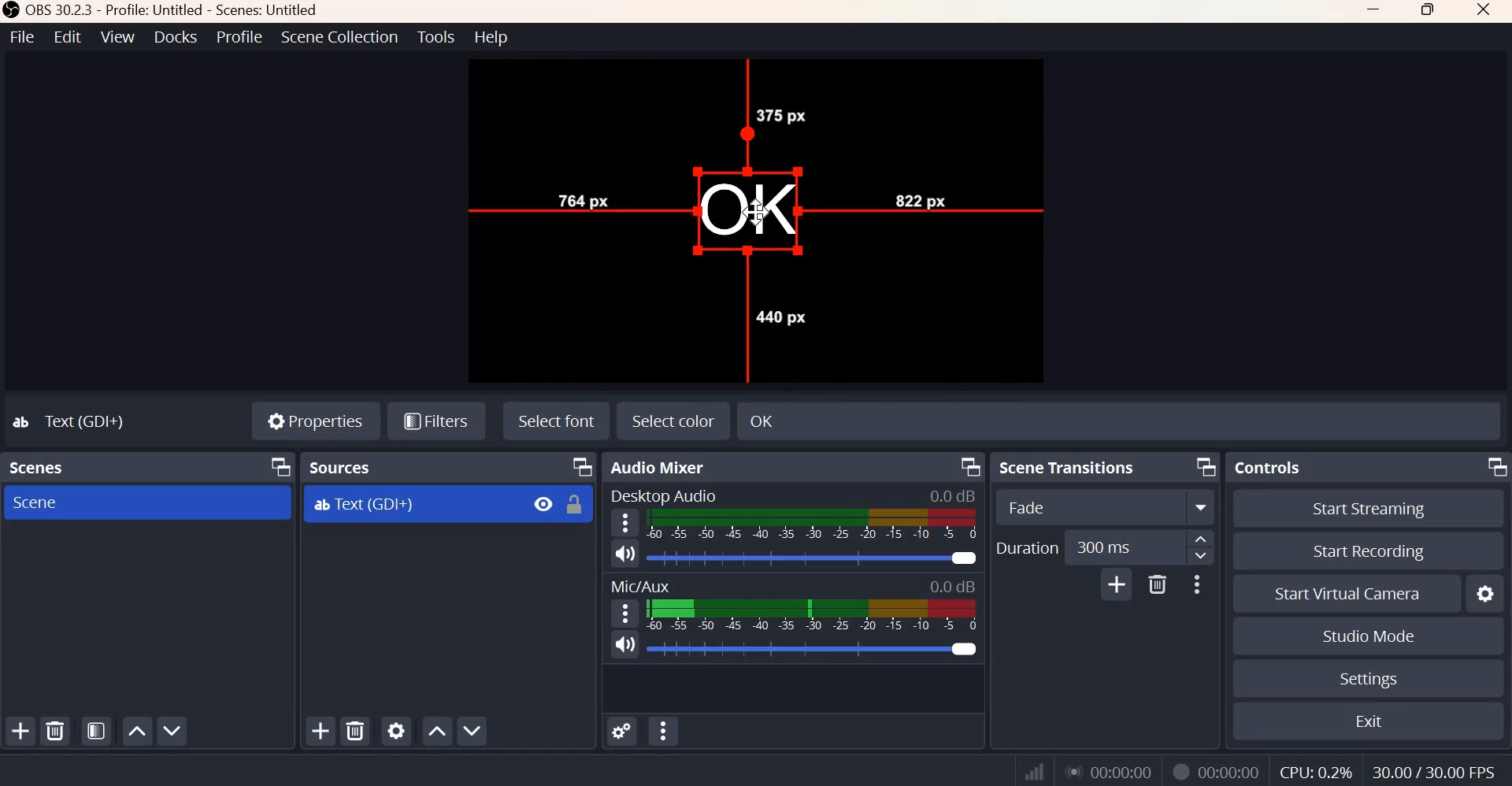 The width and height of the screenshot is (1512, 786). What do you see at coordinates (622, 523) in the screenshot?
I see `hamburger menu` at bounding box center [622, 523].